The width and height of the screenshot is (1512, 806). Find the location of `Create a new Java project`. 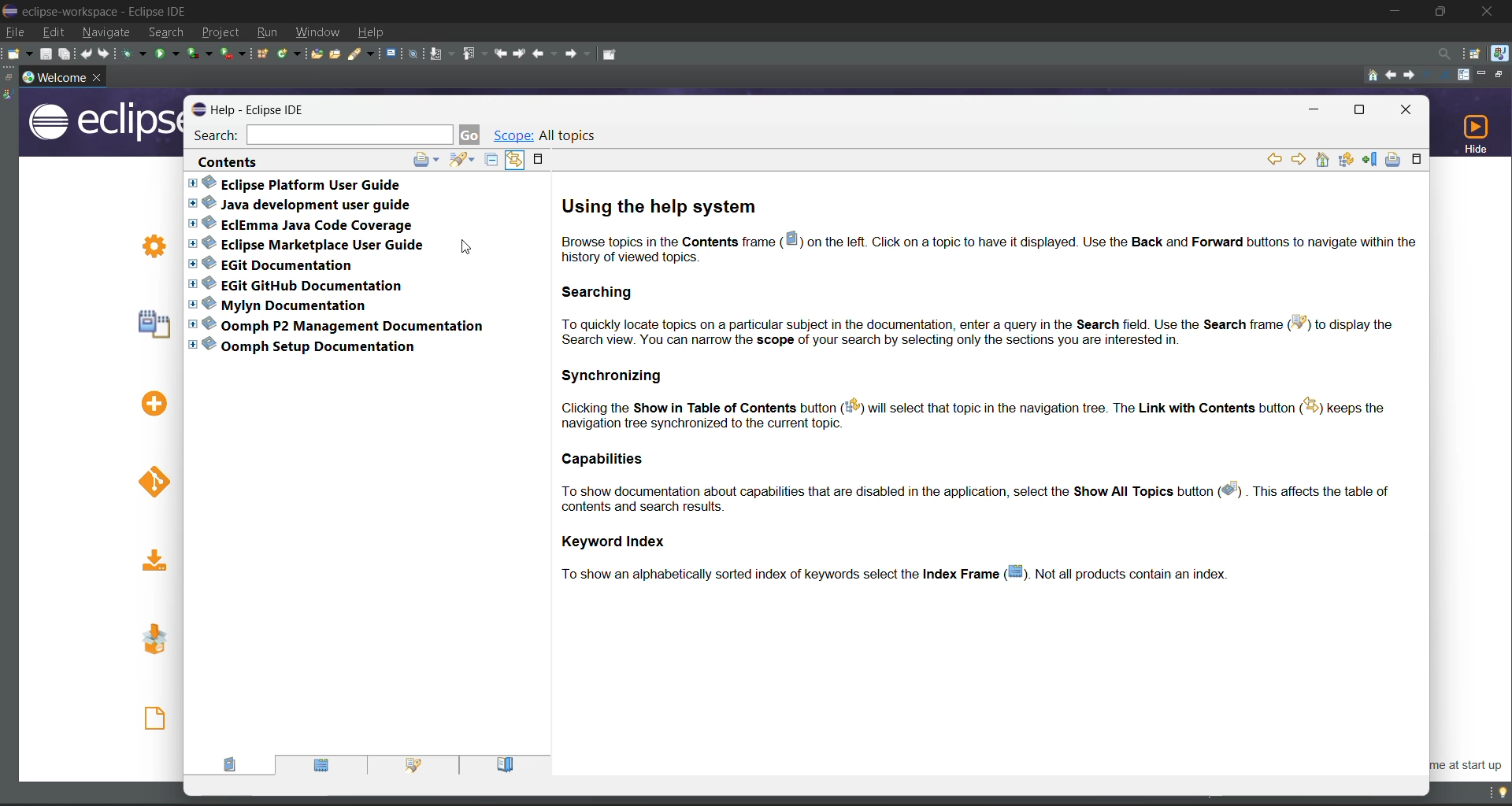

Create a new Java project is located at coordinates (146, 410).